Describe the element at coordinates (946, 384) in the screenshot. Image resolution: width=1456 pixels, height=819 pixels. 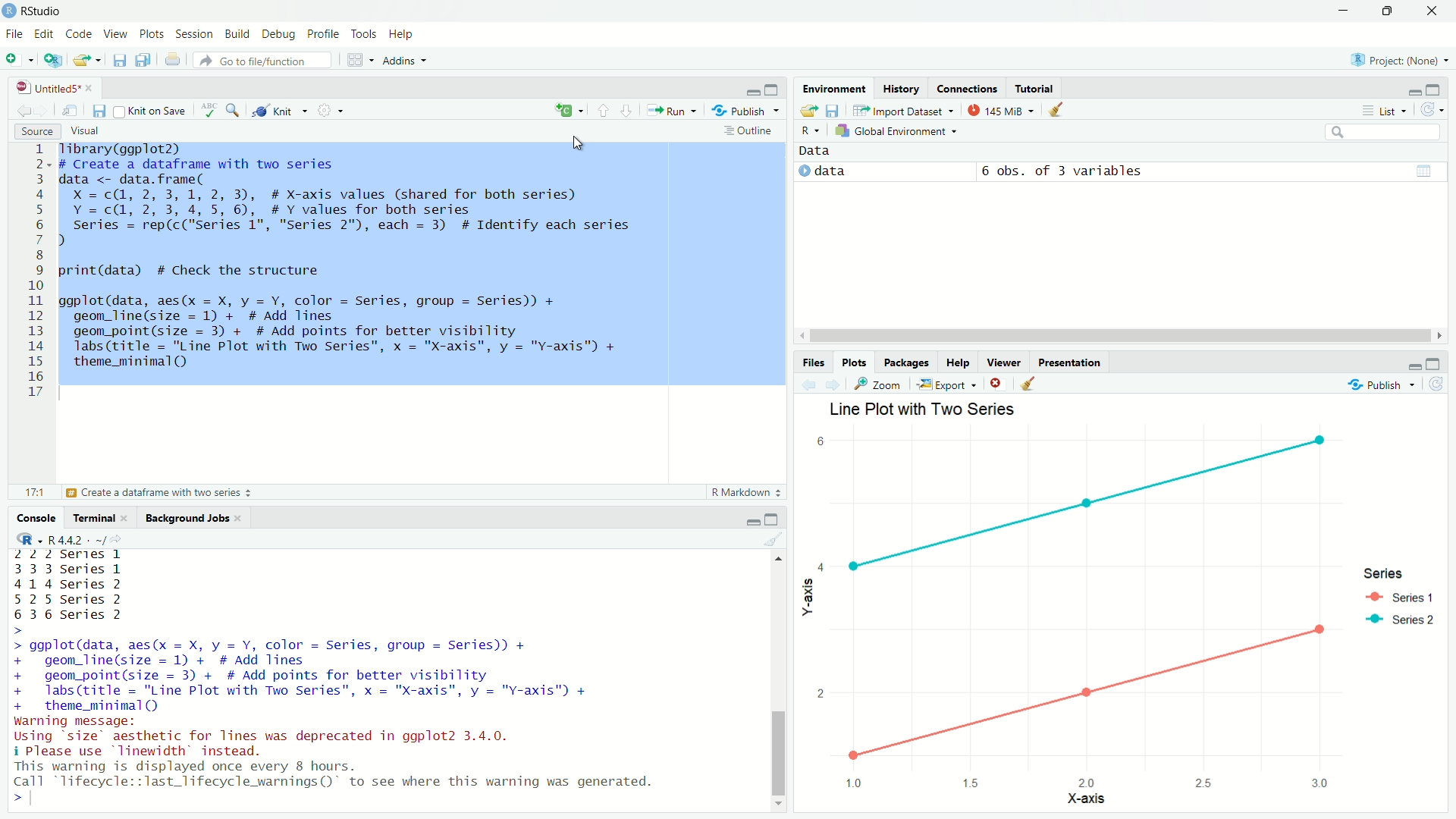
I see `Export` at that location.